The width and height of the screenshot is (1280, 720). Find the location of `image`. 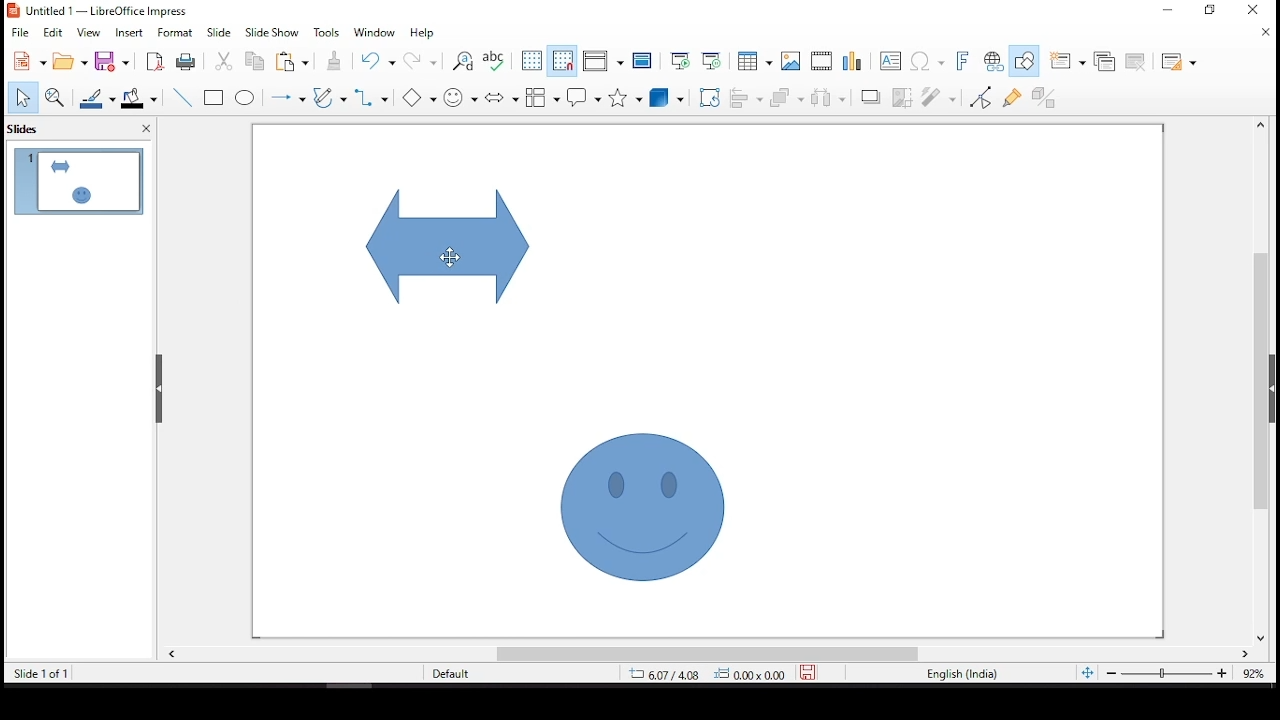

image is located at coordinates (791, 60).